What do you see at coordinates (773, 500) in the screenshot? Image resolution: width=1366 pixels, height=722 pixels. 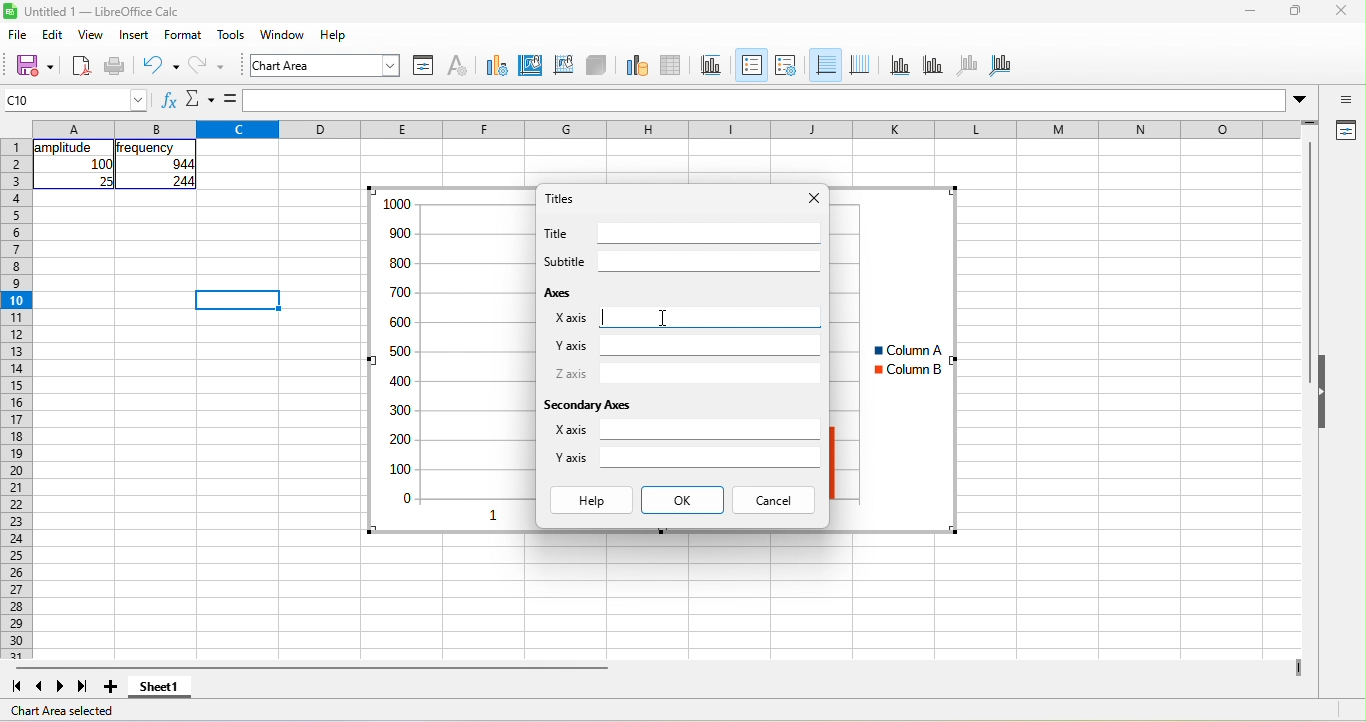 I see `cancel` at bounding box center [773, 500].